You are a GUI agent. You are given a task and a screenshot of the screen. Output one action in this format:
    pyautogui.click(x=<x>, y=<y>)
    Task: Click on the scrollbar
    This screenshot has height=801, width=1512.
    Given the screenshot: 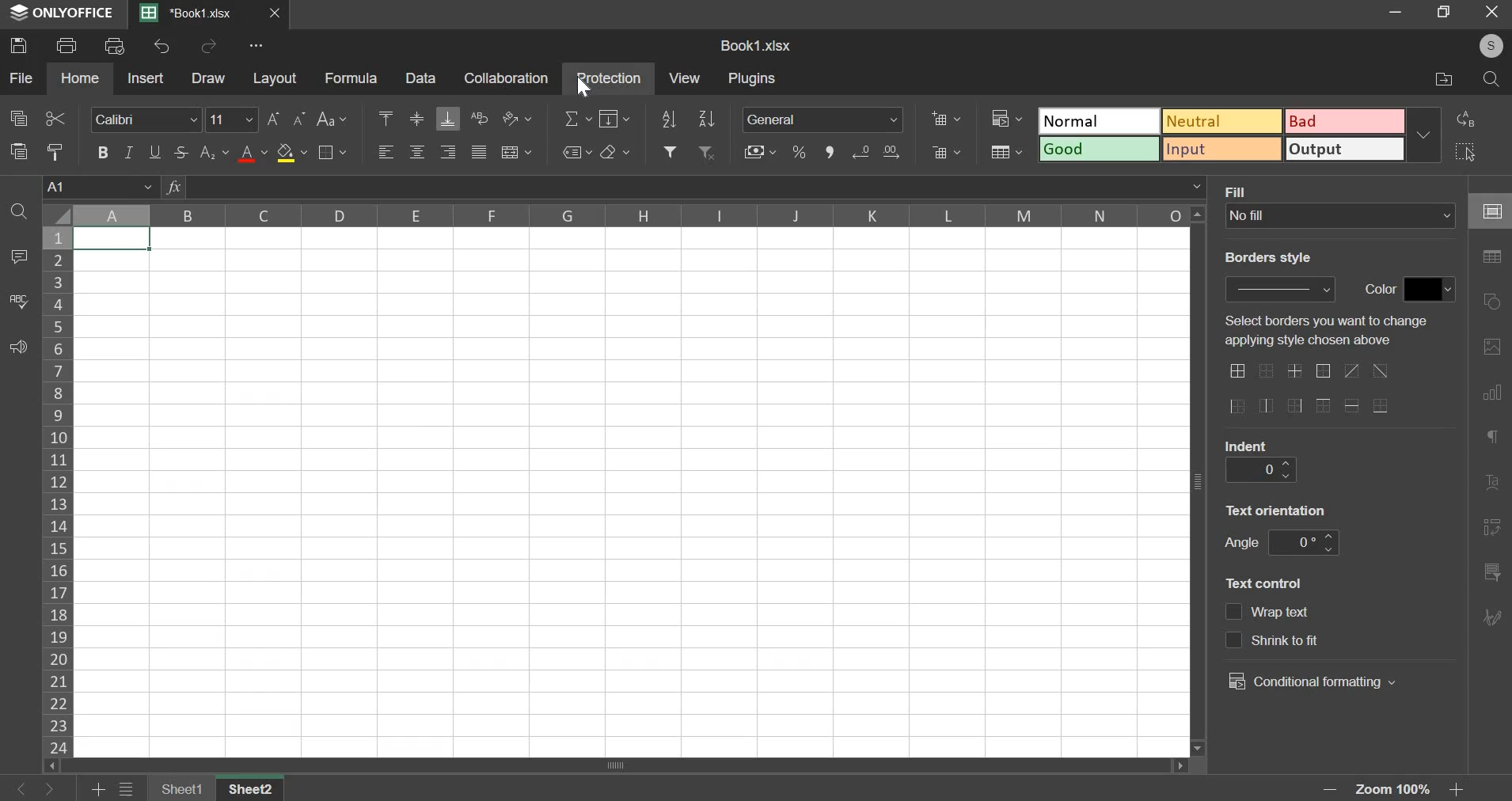 What is the action you would take?
    pyautogui.click(x=623, y=765)
    